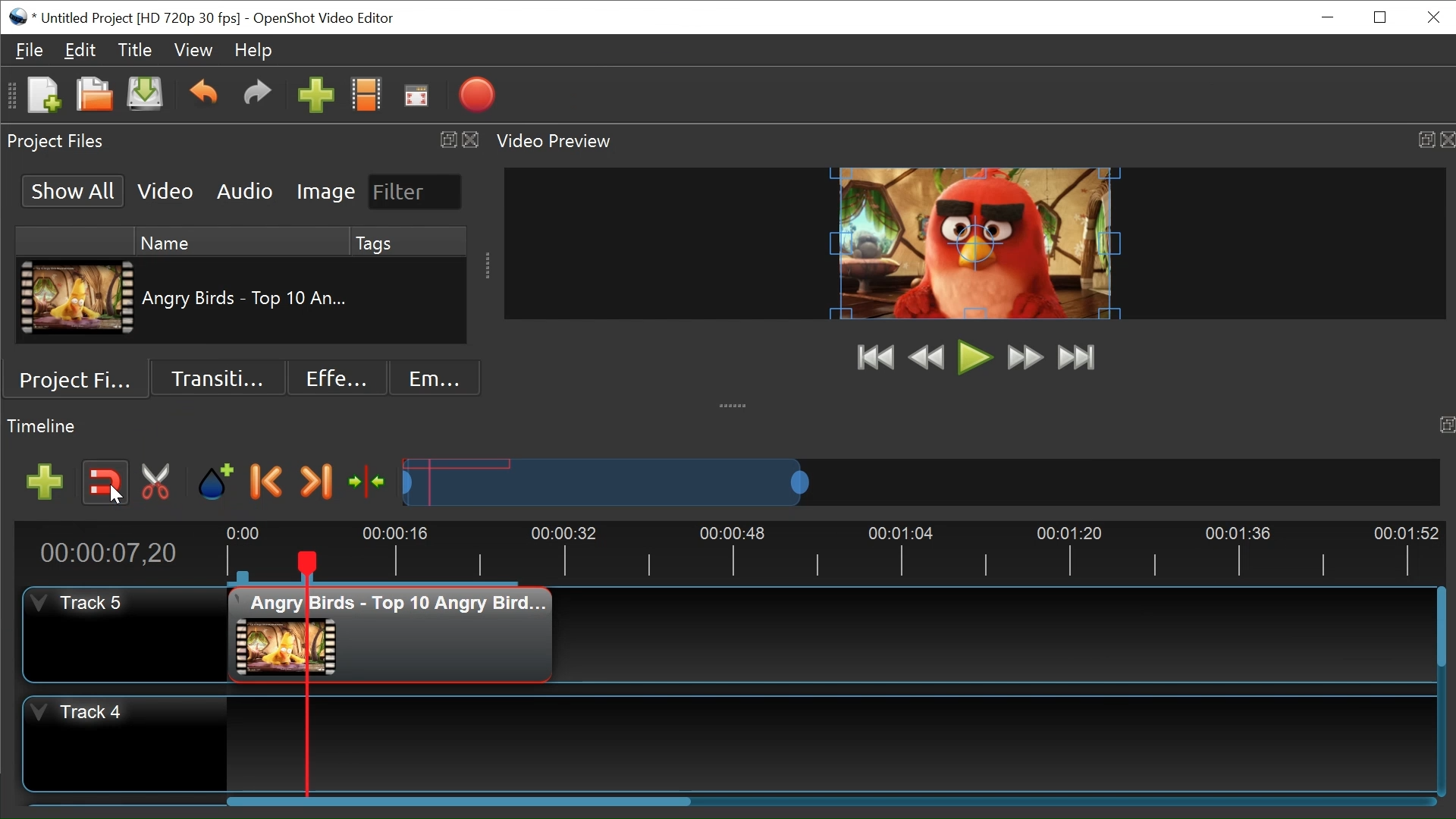 The width and height of the screenshot is (1456, 819). Describe the element at coordinates (1079, 358) in the screenshot. I see `Jump to End` at that location.